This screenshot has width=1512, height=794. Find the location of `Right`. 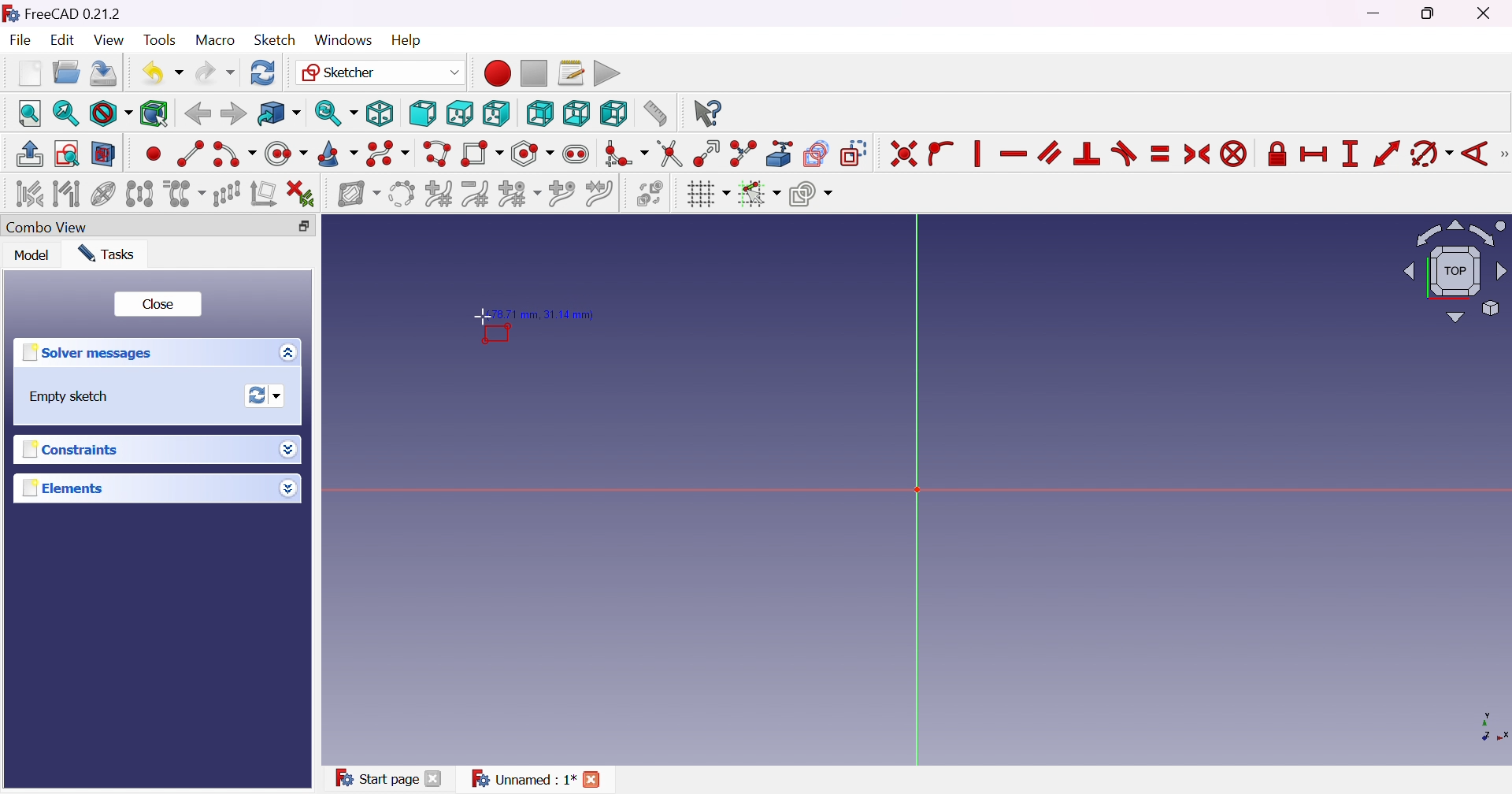

Right is located at coordinates (495, 113).